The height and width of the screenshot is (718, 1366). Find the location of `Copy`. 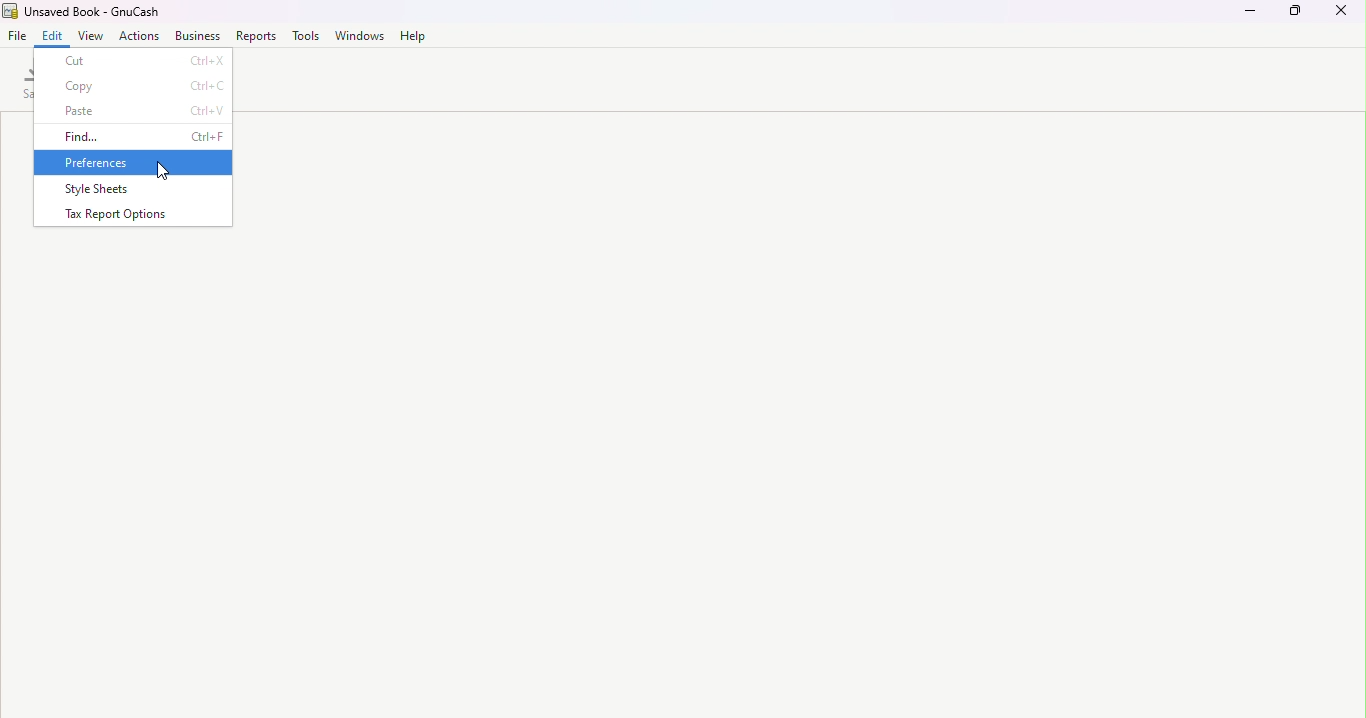

Copy is located at coordinates (133, 85).